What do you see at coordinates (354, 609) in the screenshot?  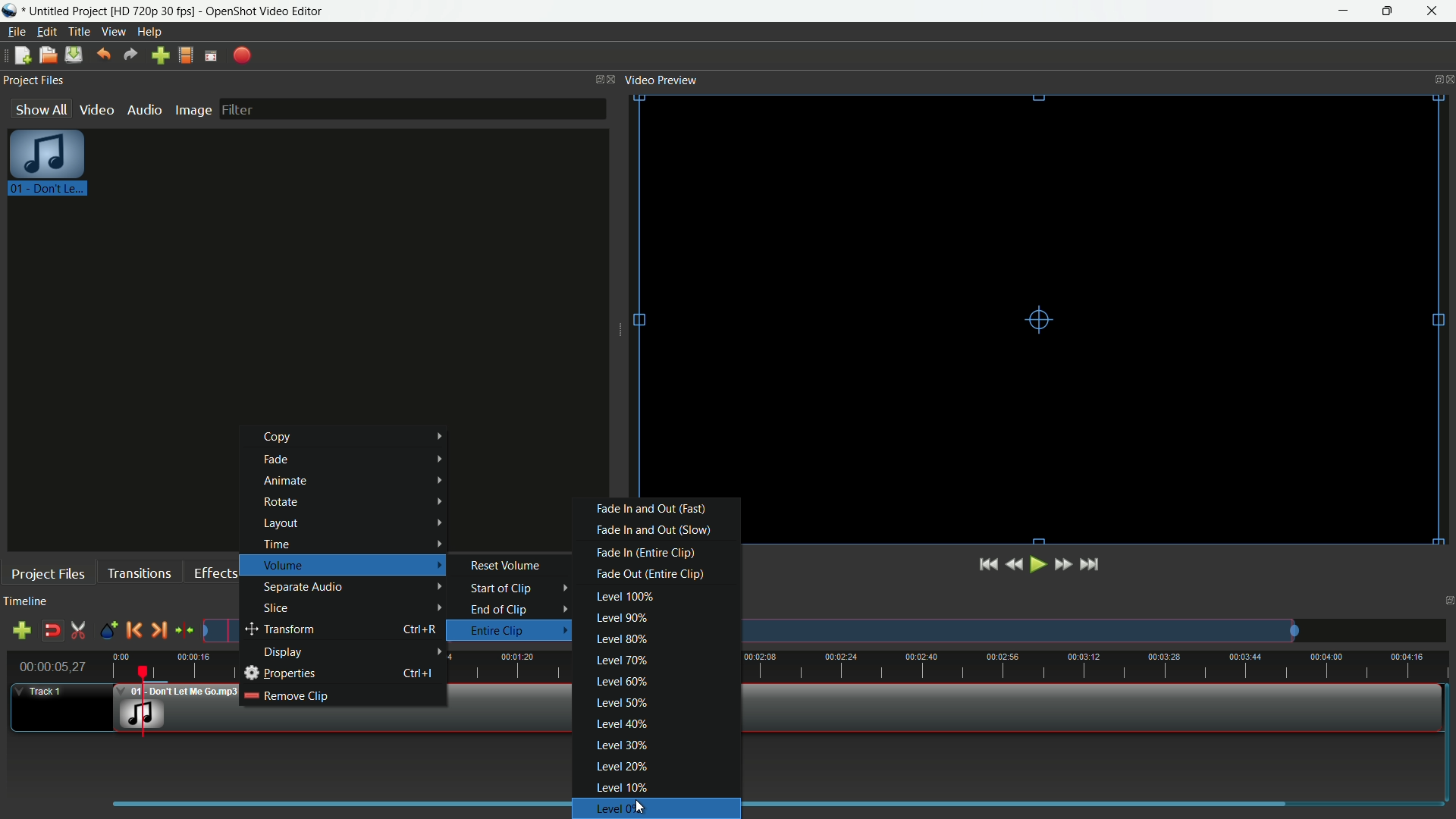 I see `slice` at bounding box center [354, 609].